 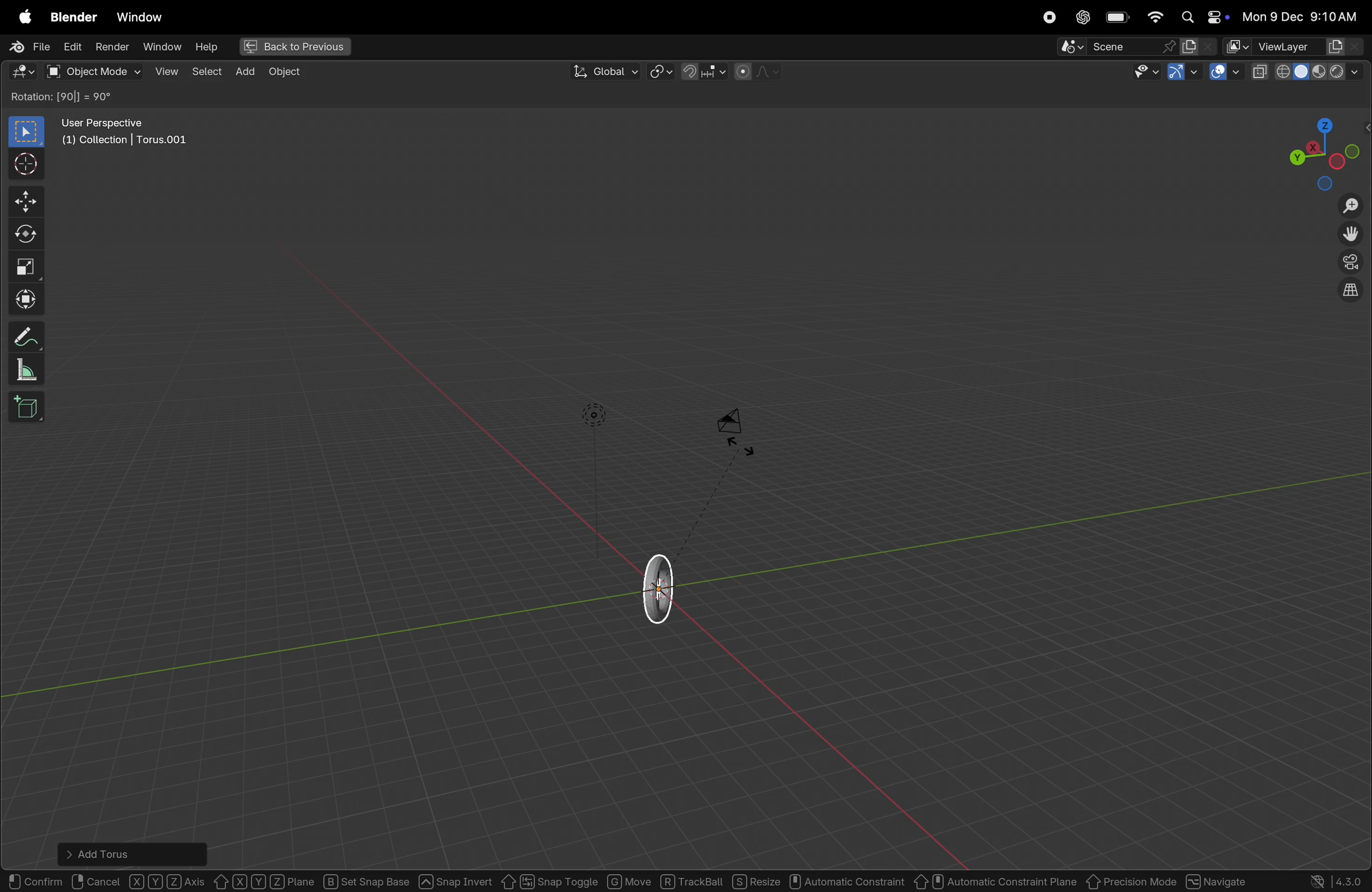 I want to click on back to previous, so click(x=293, y=48).